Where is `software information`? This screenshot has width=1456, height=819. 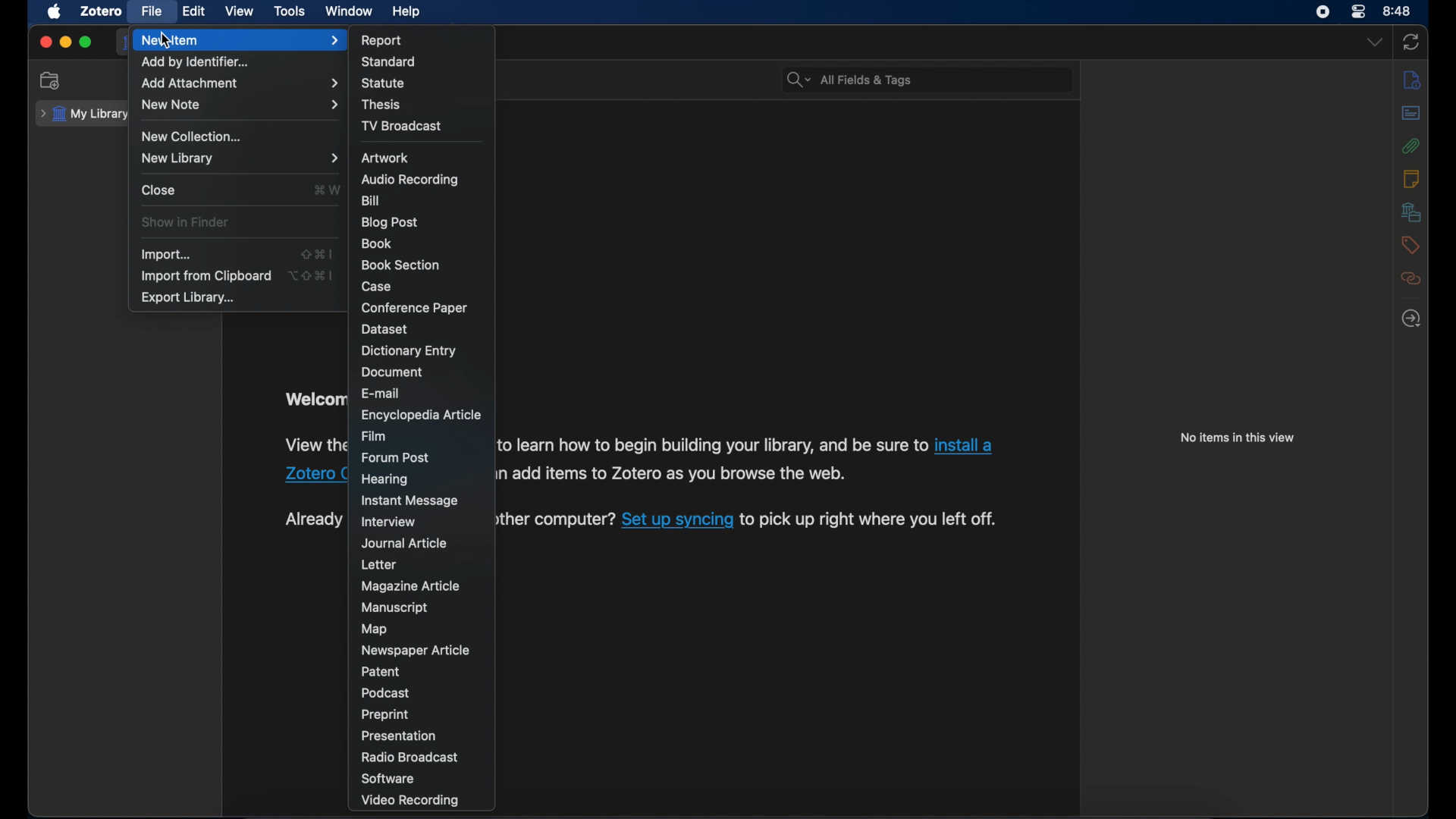
software information is located at coordinates (557, 520).